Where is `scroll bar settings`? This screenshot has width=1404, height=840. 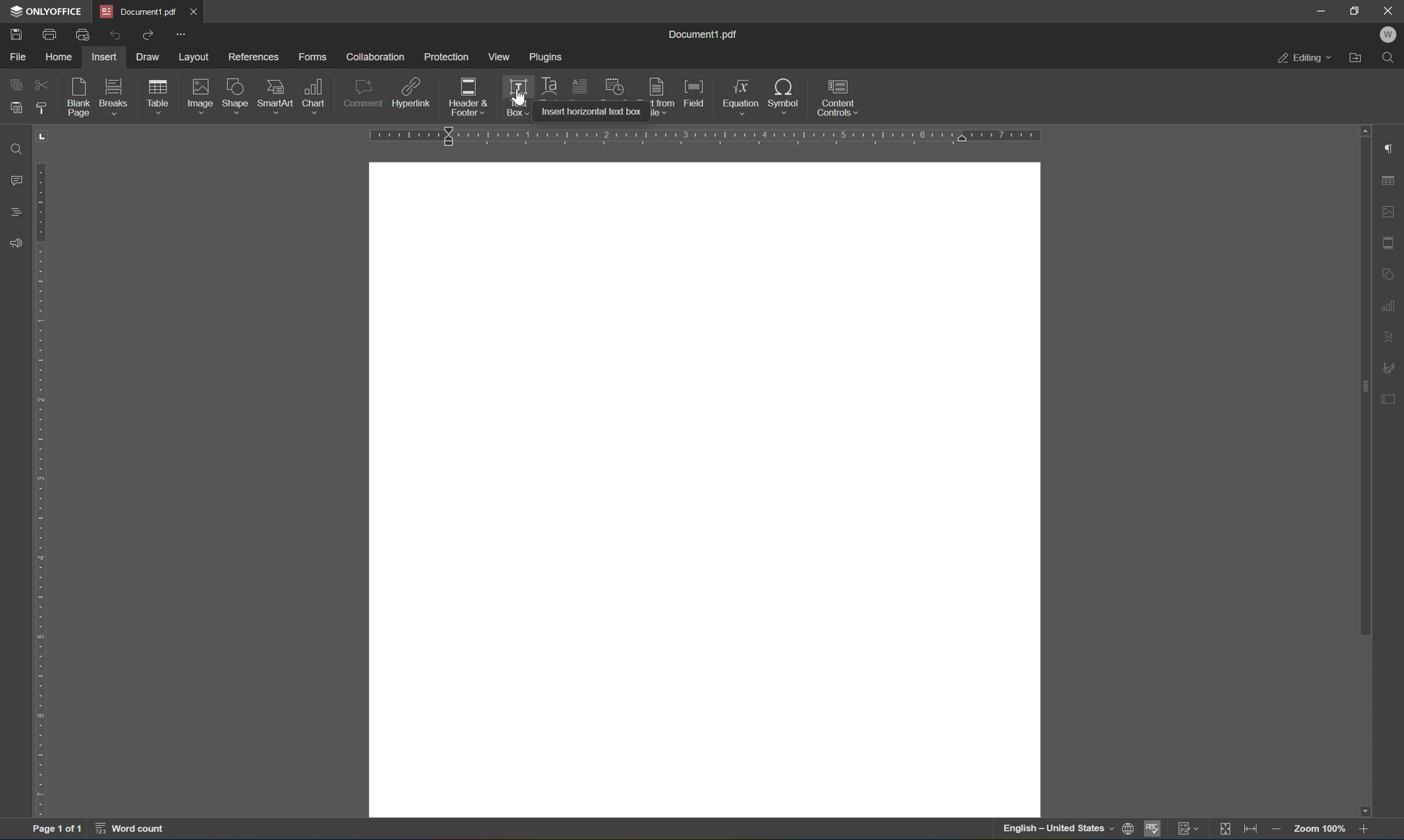 scroll bar settings is located at coordinates (1364, 380).